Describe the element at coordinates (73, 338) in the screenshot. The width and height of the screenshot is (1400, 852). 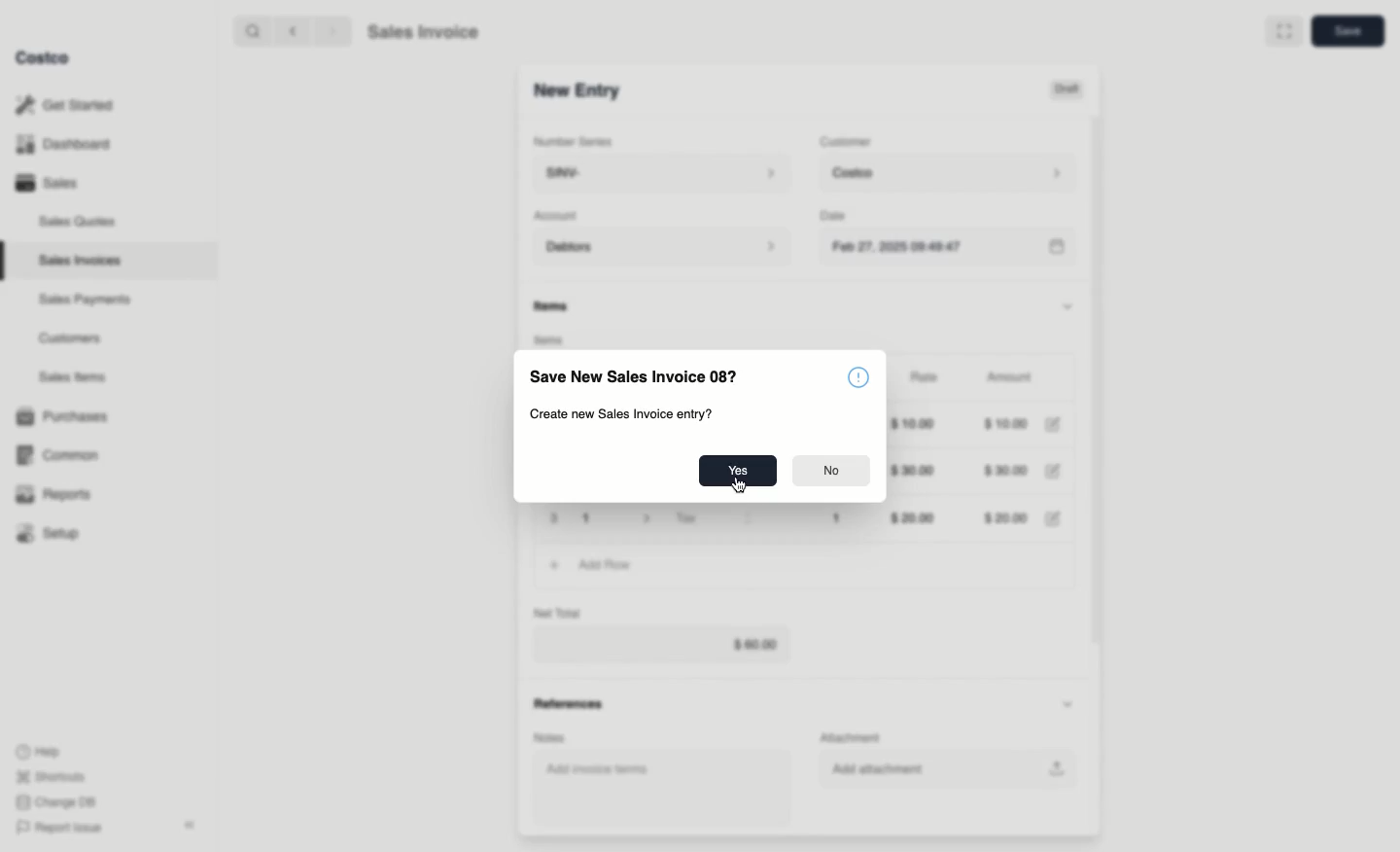
I see `Customers` at that location.